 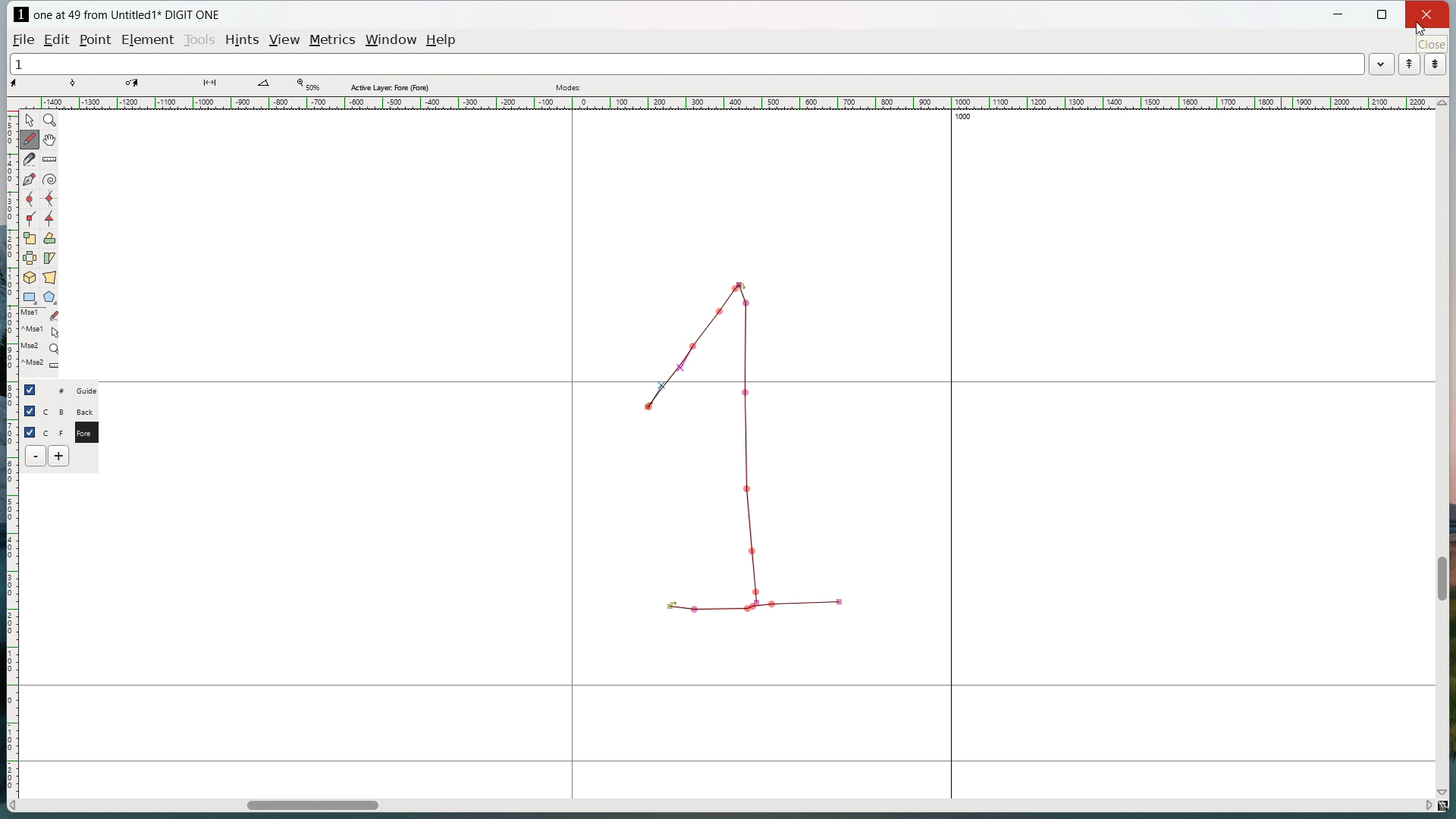 What do you see at coordinates (199, 41) in the screenshot?
I see `tools` at bounding box center [199, 41].